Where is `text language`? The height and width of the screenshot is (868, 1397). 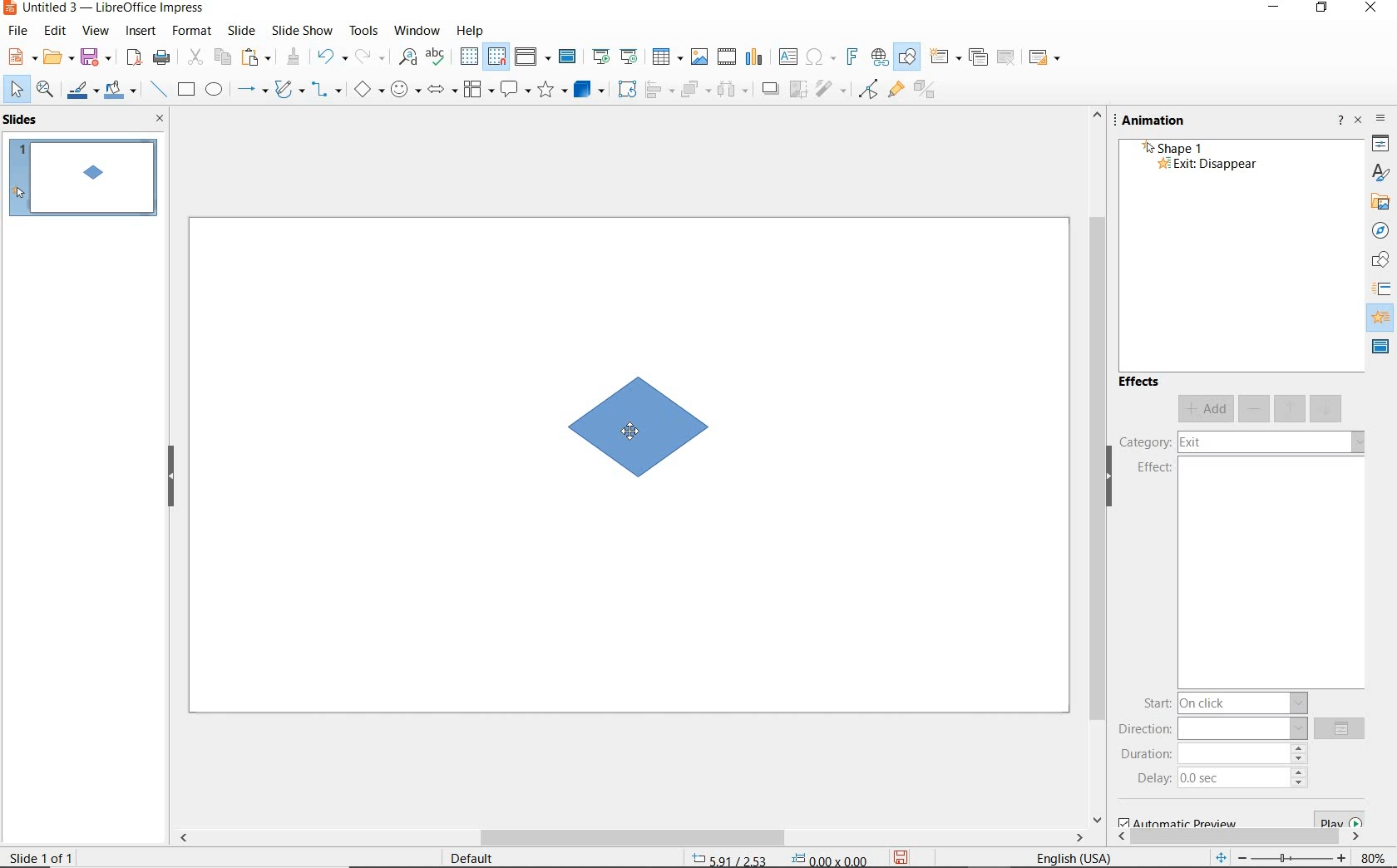 text language is located at coordinates (1077, 856).